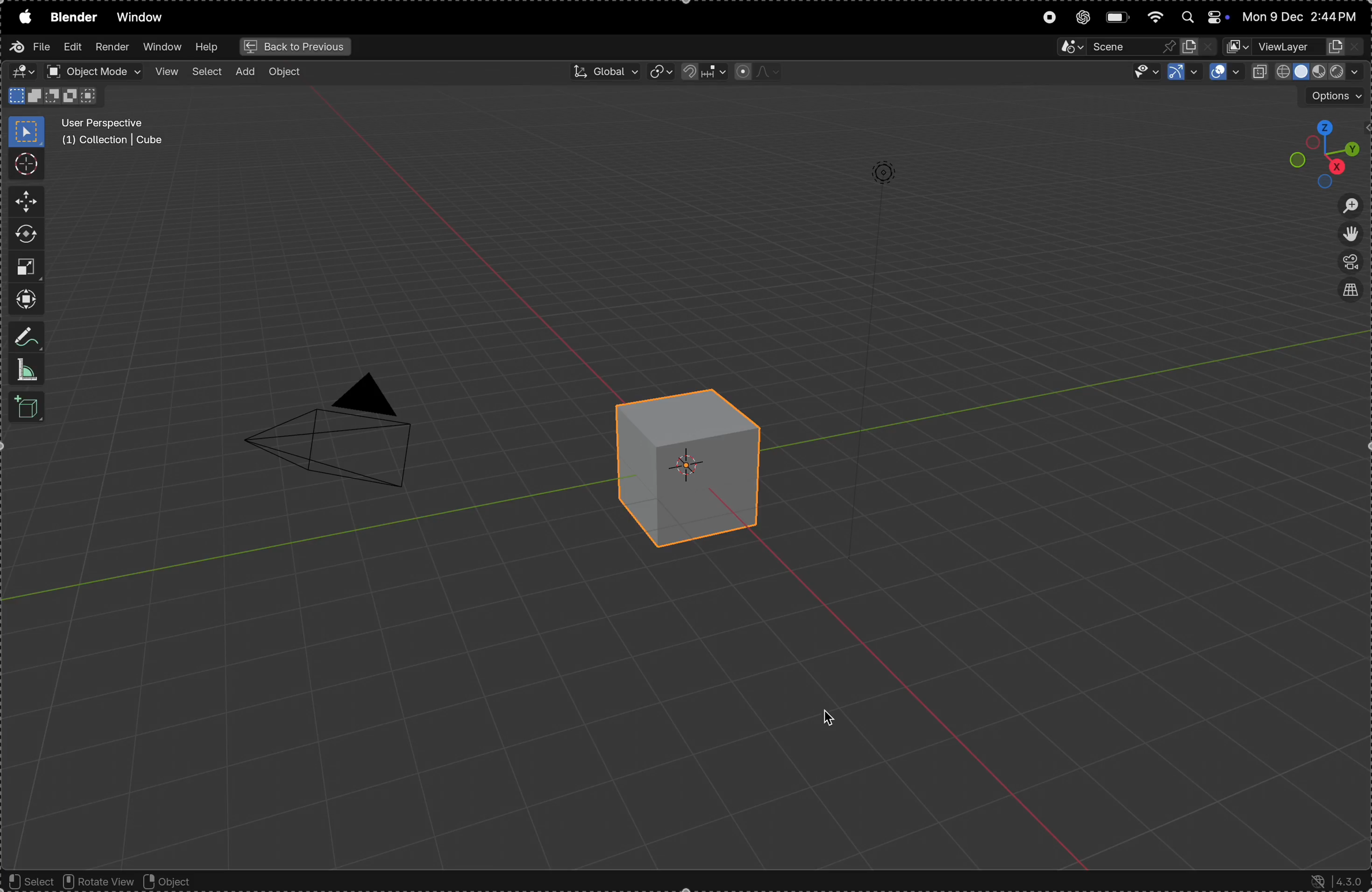 The width and height of the screenshot is (1372, 892). I want to click on object mode, so click(95, 71).